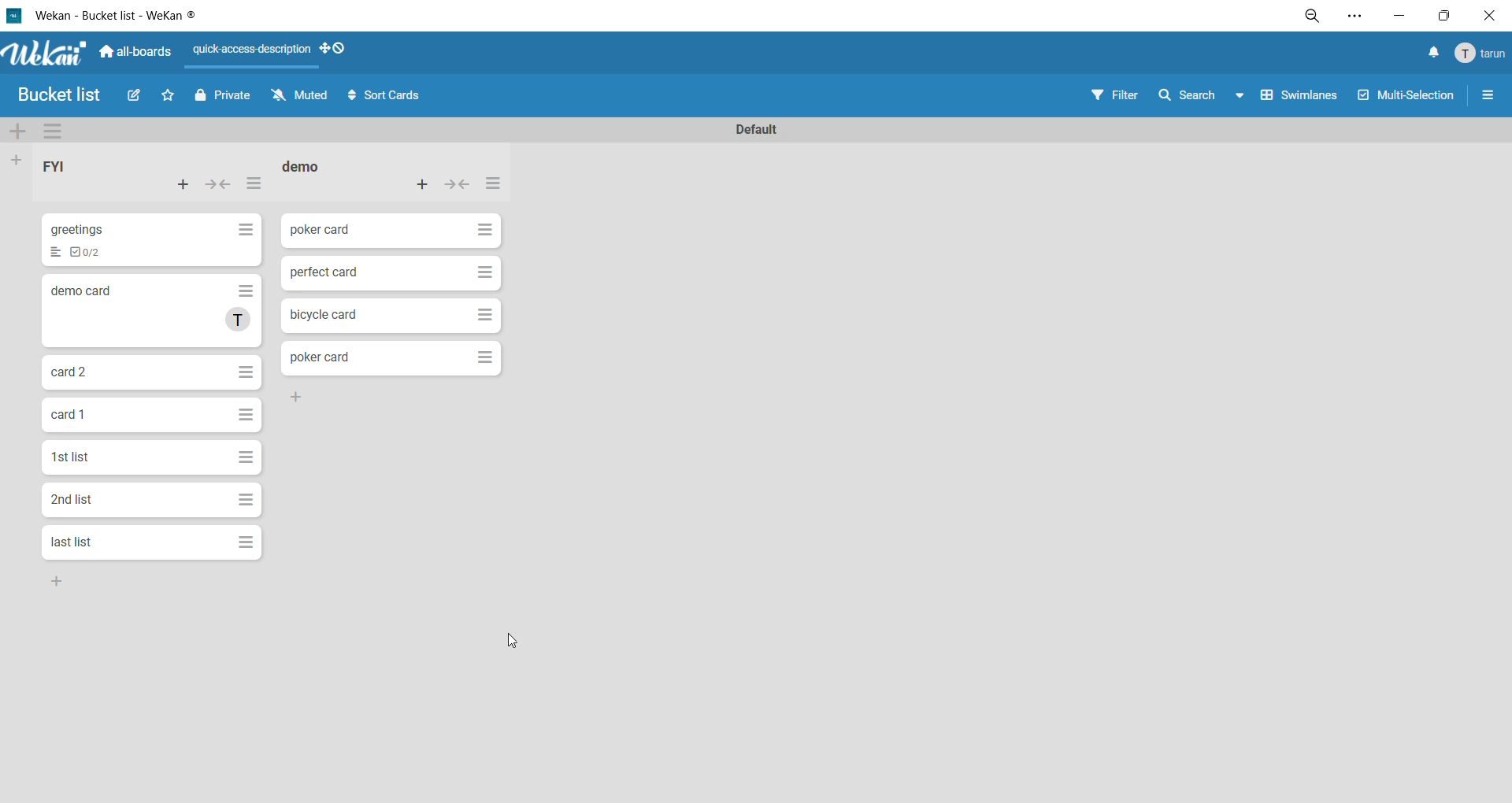  What do you see at coordinates (339, 50) in the screenshot?
I see `show desktop drag handles` at bounding box center [339, 50].